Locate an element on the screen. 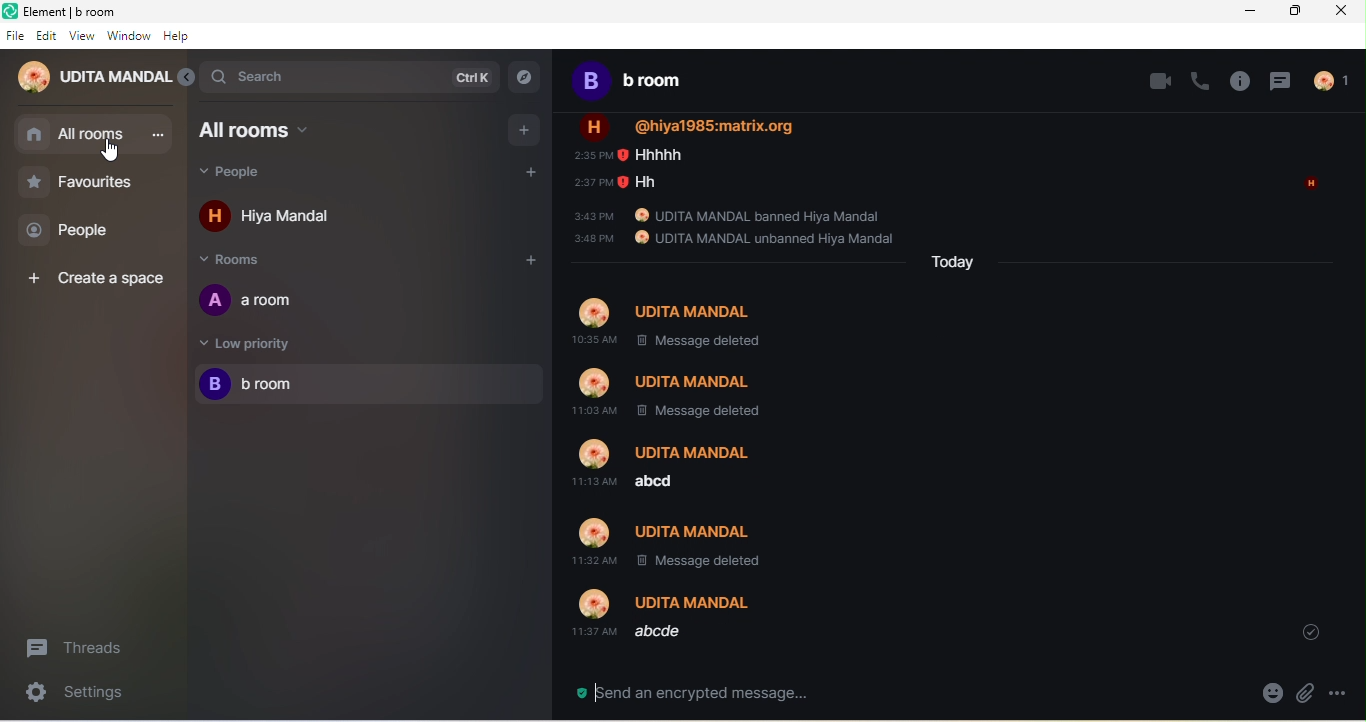  attachment is located at coordinates (1306, 694).